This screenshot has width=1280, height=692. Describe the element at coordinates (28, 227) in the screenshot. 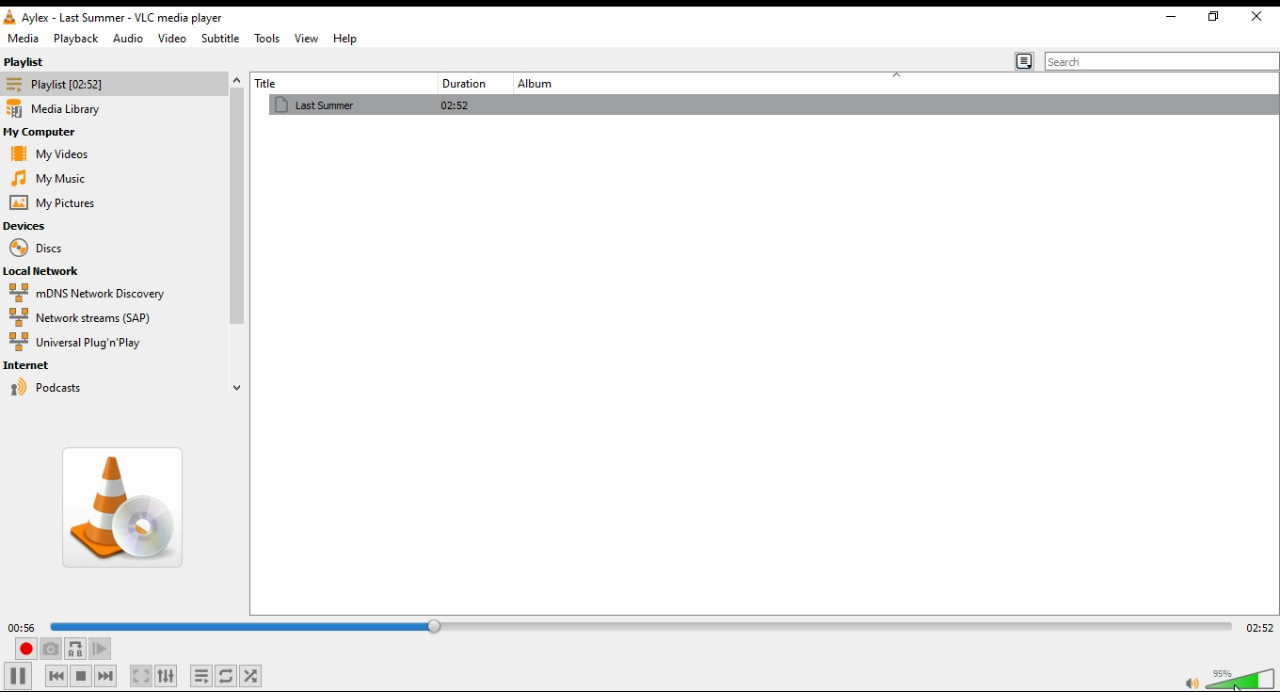

I see `devices` at that location.